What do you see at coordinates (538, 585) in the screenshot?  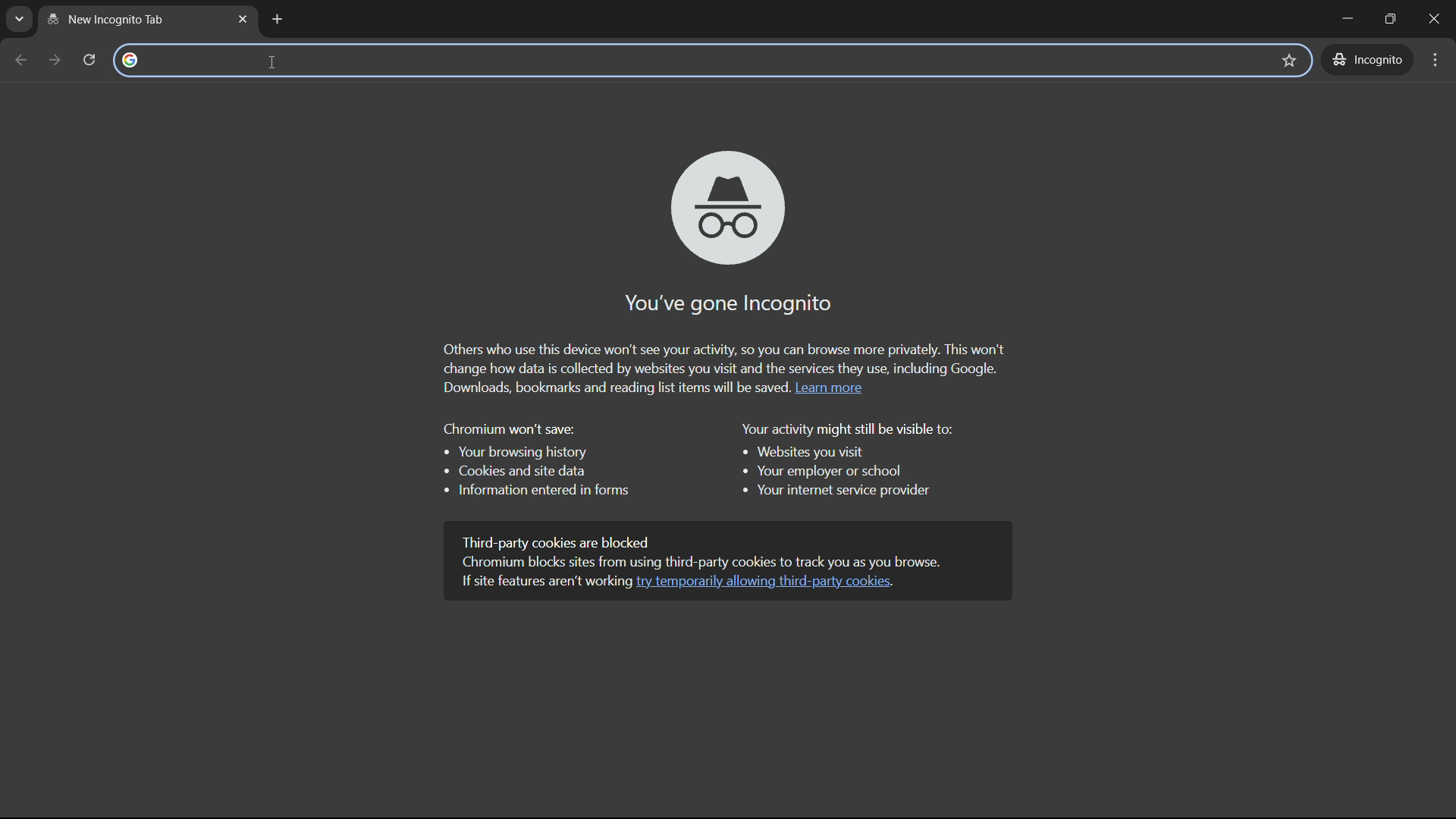 I see `If site features aren't working` at bounding box center [538, 585].